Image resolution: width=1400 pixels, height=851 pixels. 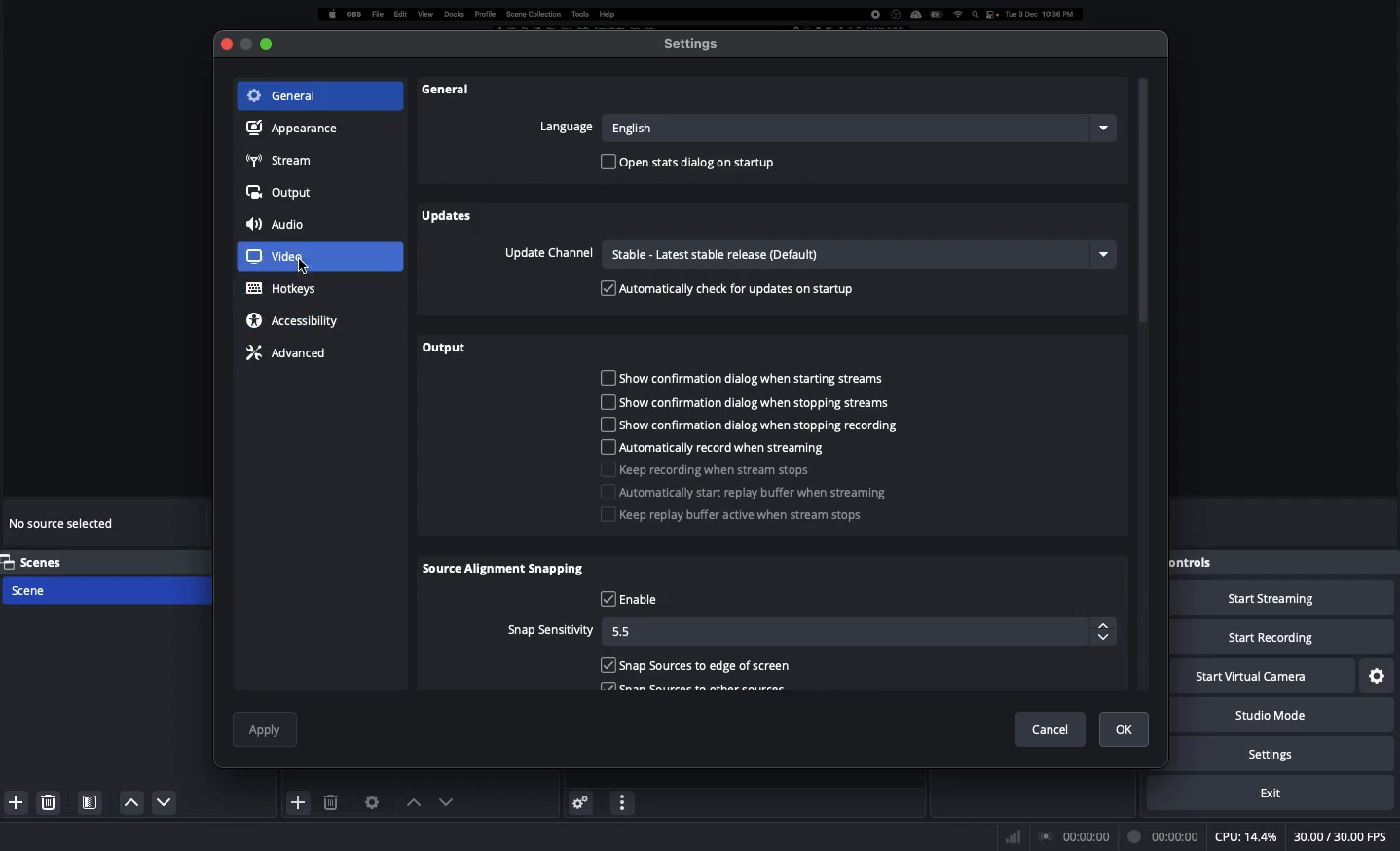 I want to click on Up, so click(x=159, y=804).